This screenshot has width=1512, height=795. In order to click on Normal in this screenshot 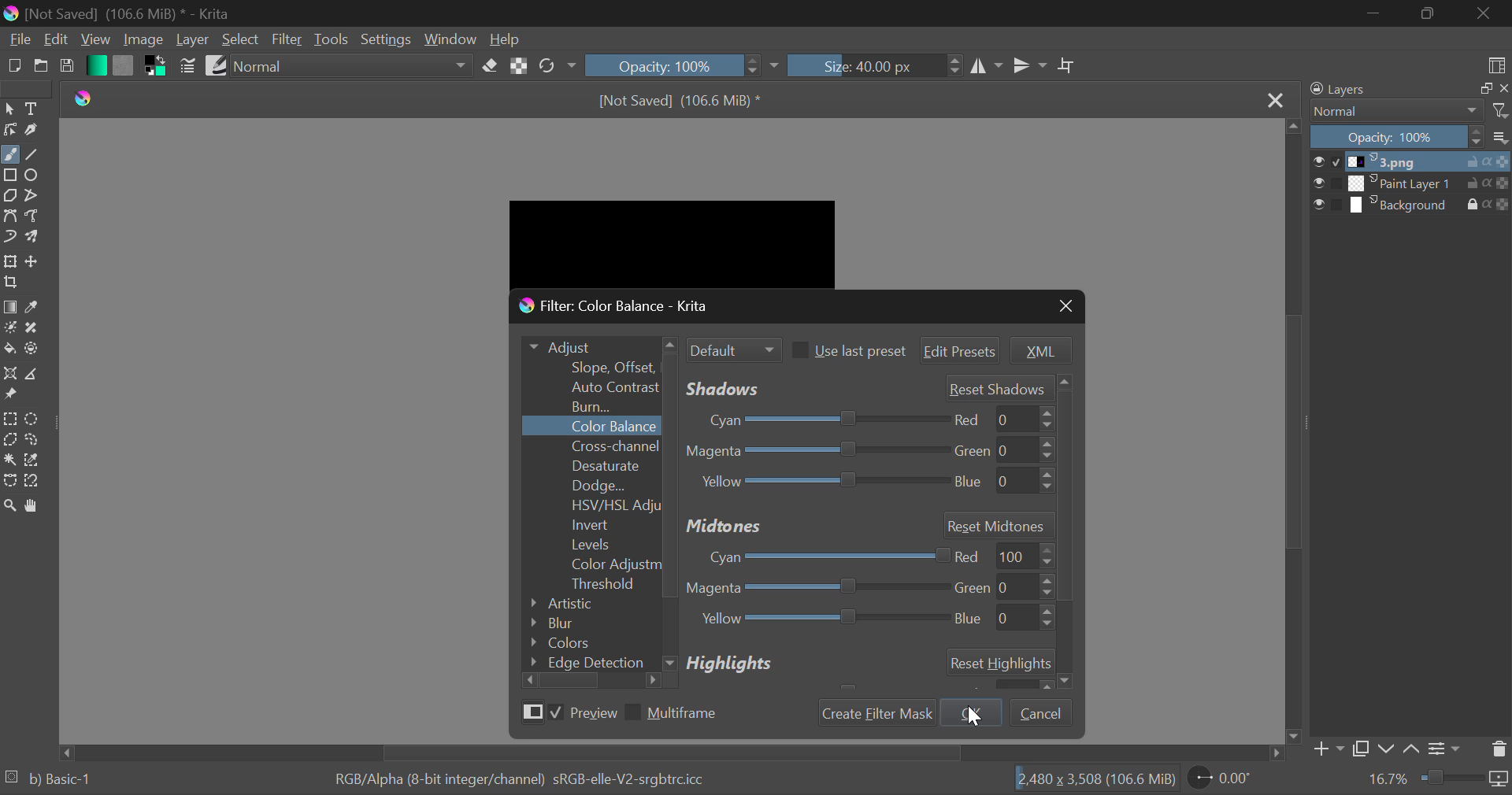, I will do `click(1393, 112)`.